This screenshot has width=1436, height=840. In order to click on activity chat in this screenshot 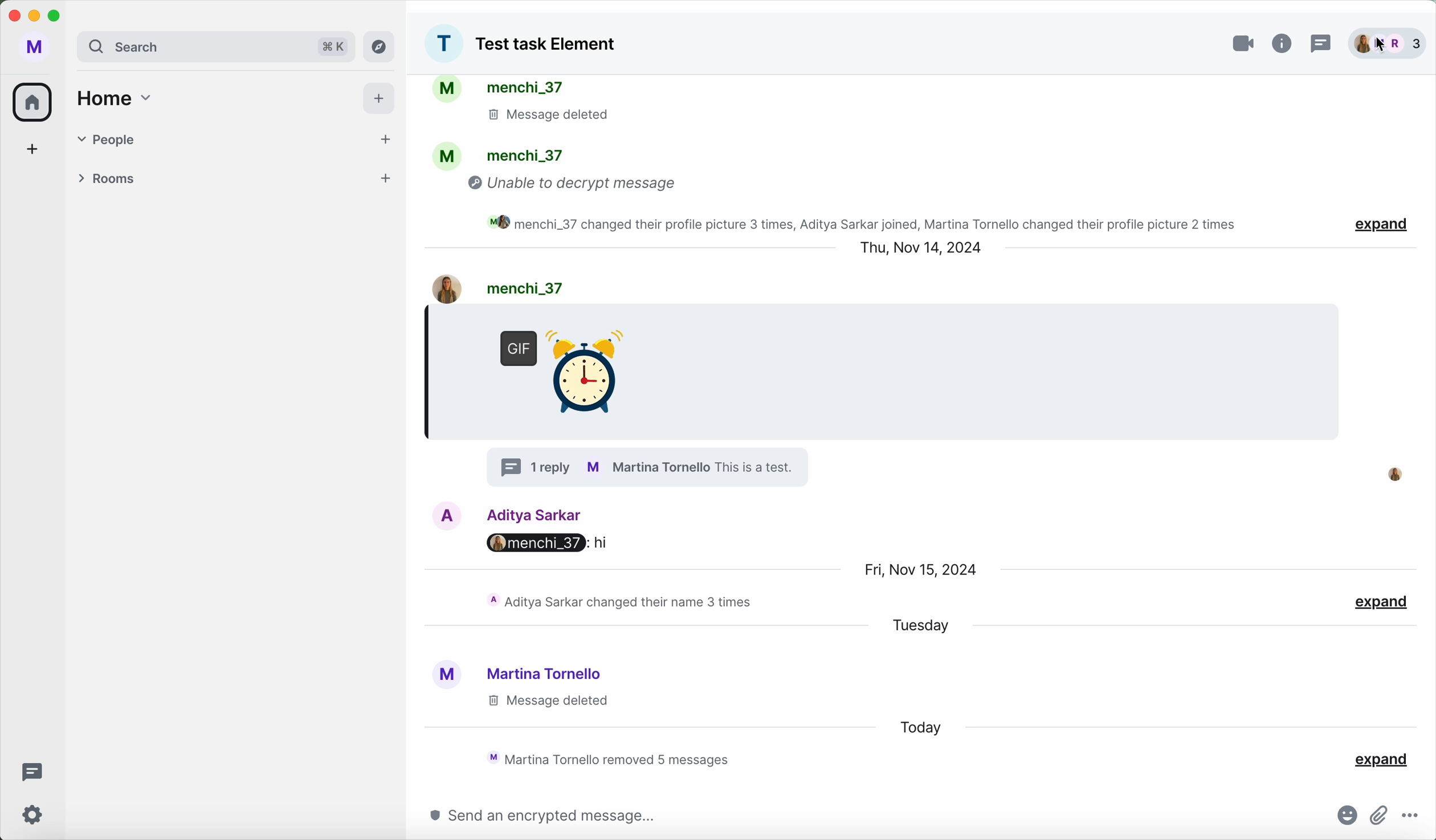, I will do `click(862, 222)`.